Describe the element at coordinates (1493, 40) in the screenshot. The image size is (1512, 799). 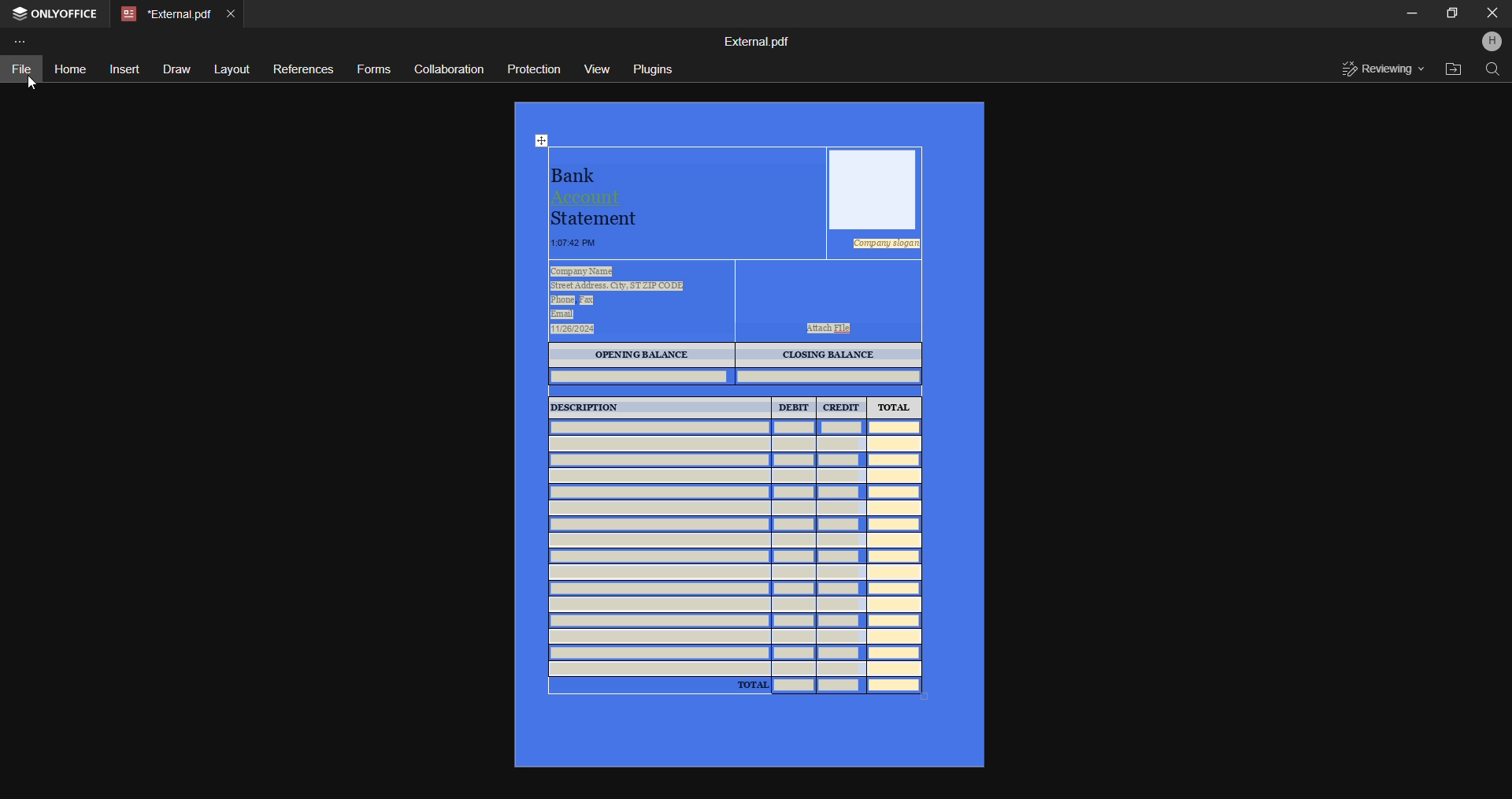
I see `Profile` at that location.